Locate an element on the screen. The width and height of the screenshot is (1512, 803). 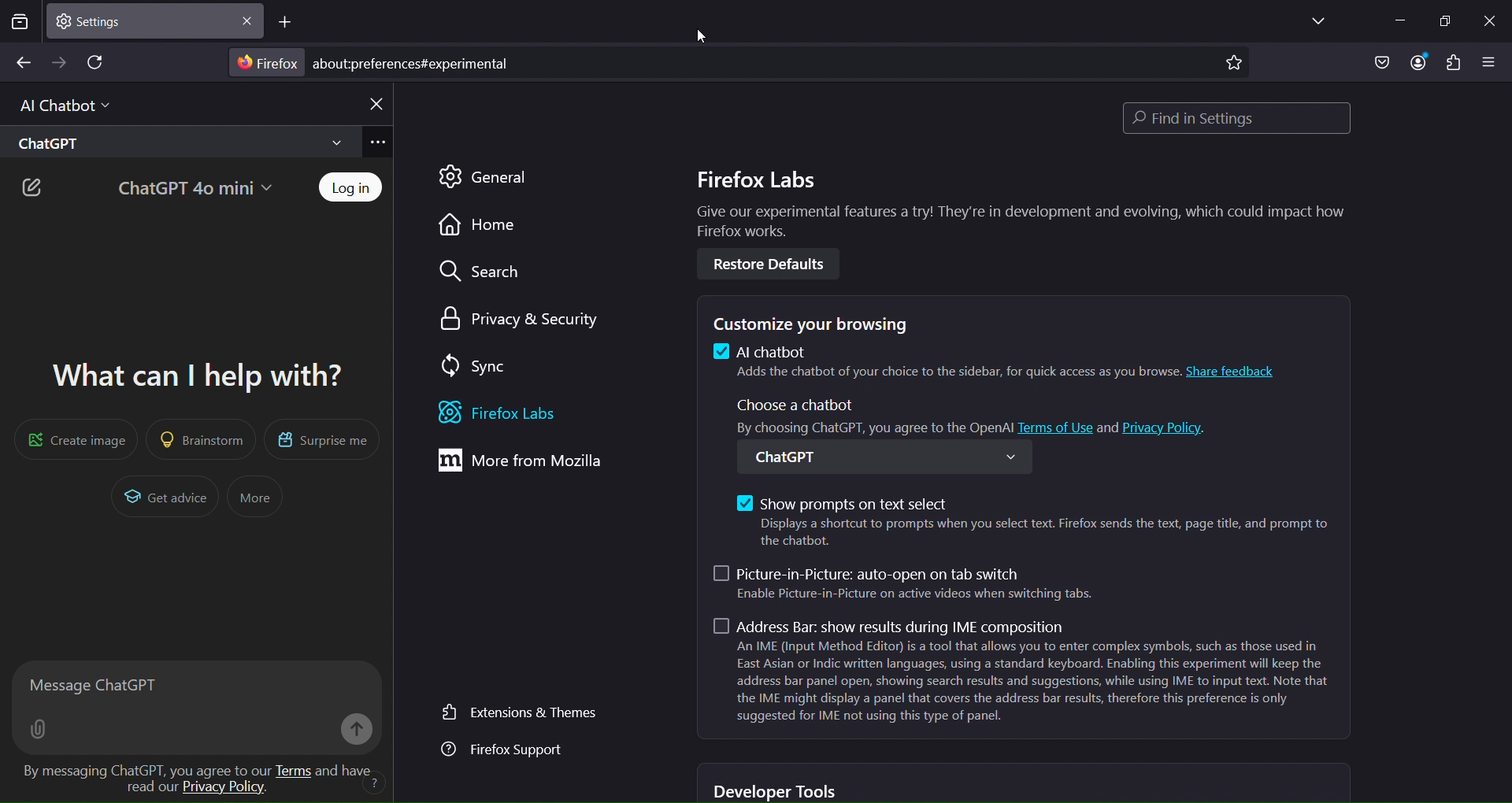
privacy policy is located at coordinates (225, 791).